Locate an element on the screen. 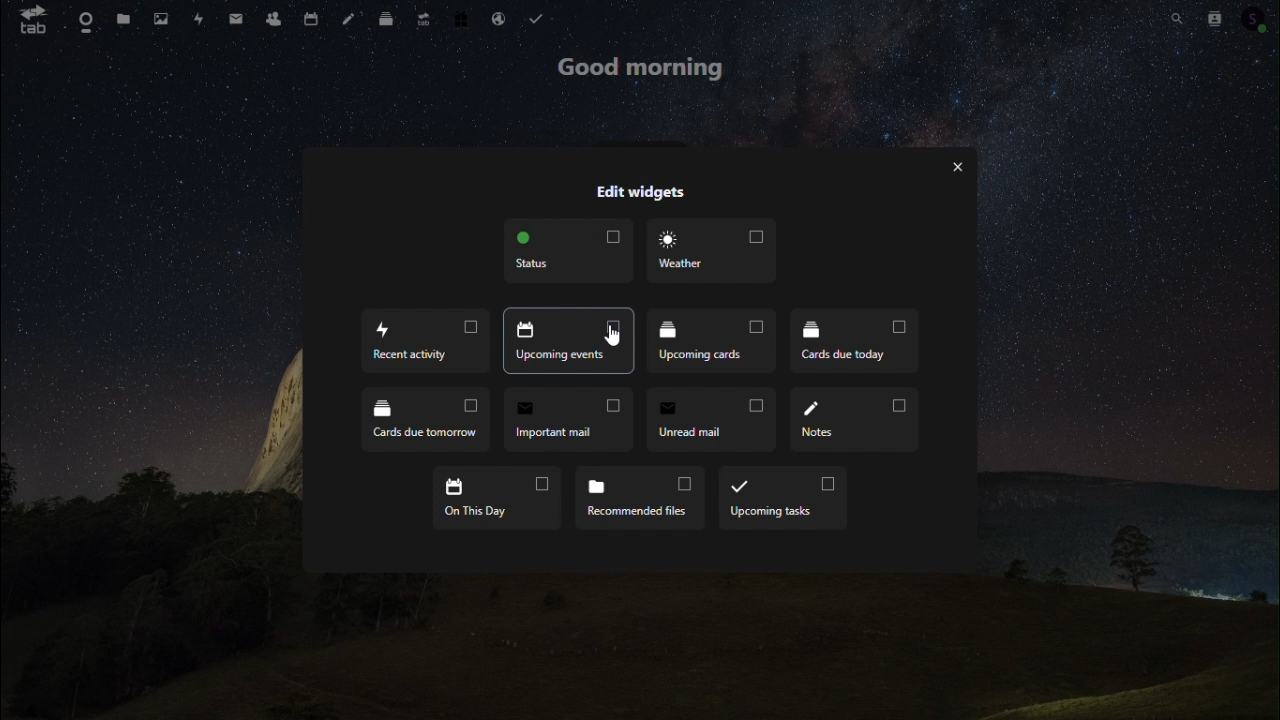 The height and width of the screenshot is (720, 1280). recommended files is located at coordinates (637, 497).